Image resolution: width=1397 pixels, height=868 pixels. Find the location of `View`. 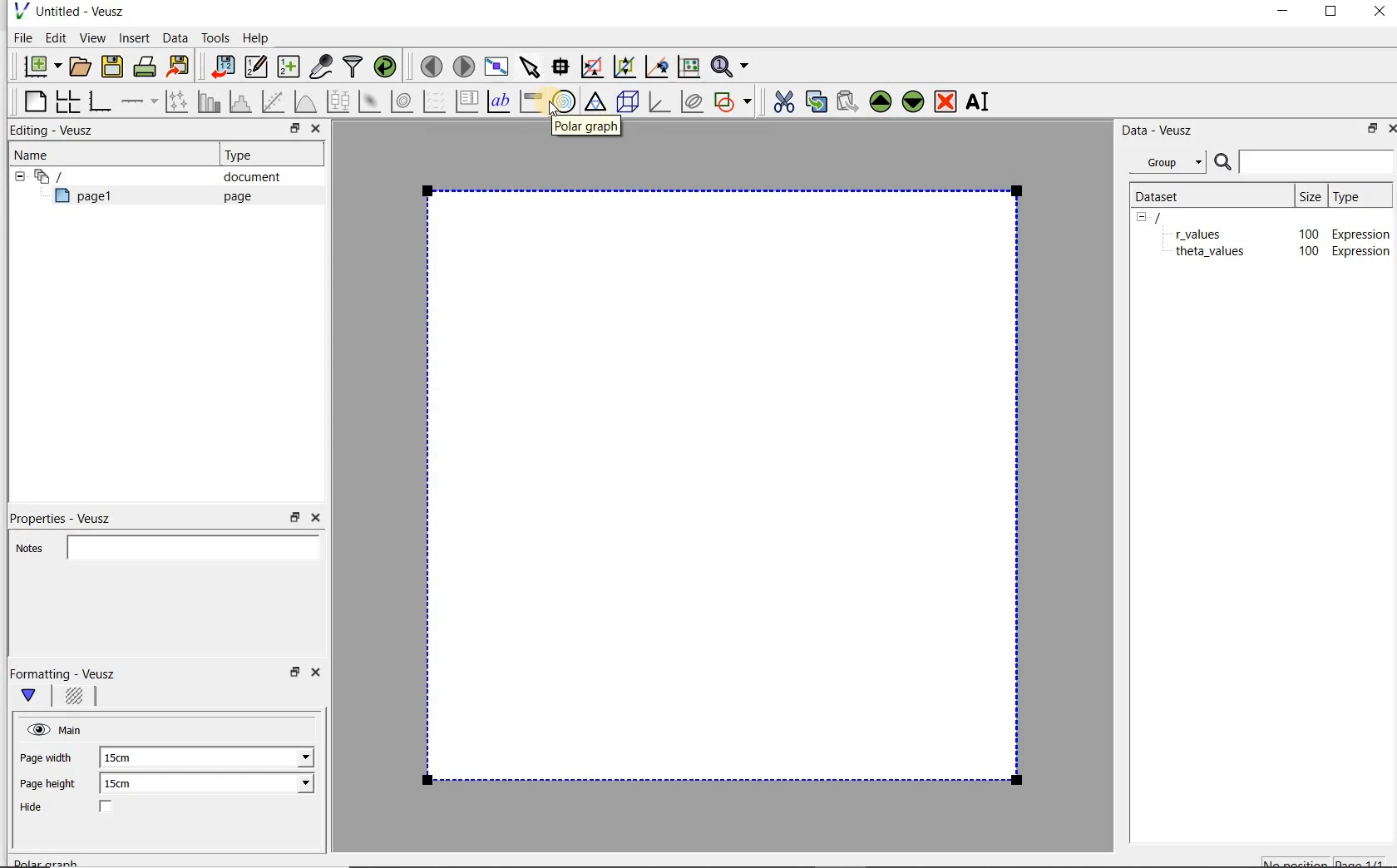

View is located at coordinates (92, 36).